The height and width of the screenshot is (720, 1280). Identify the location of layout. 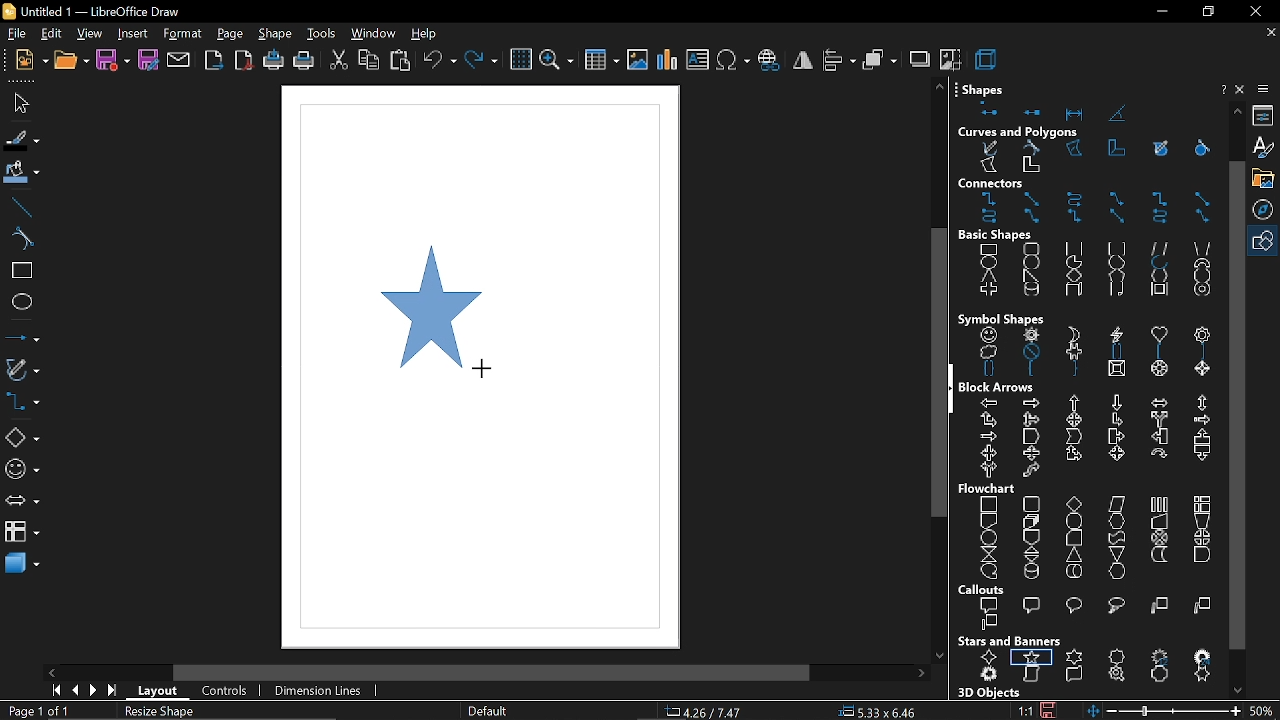
(161, 692).